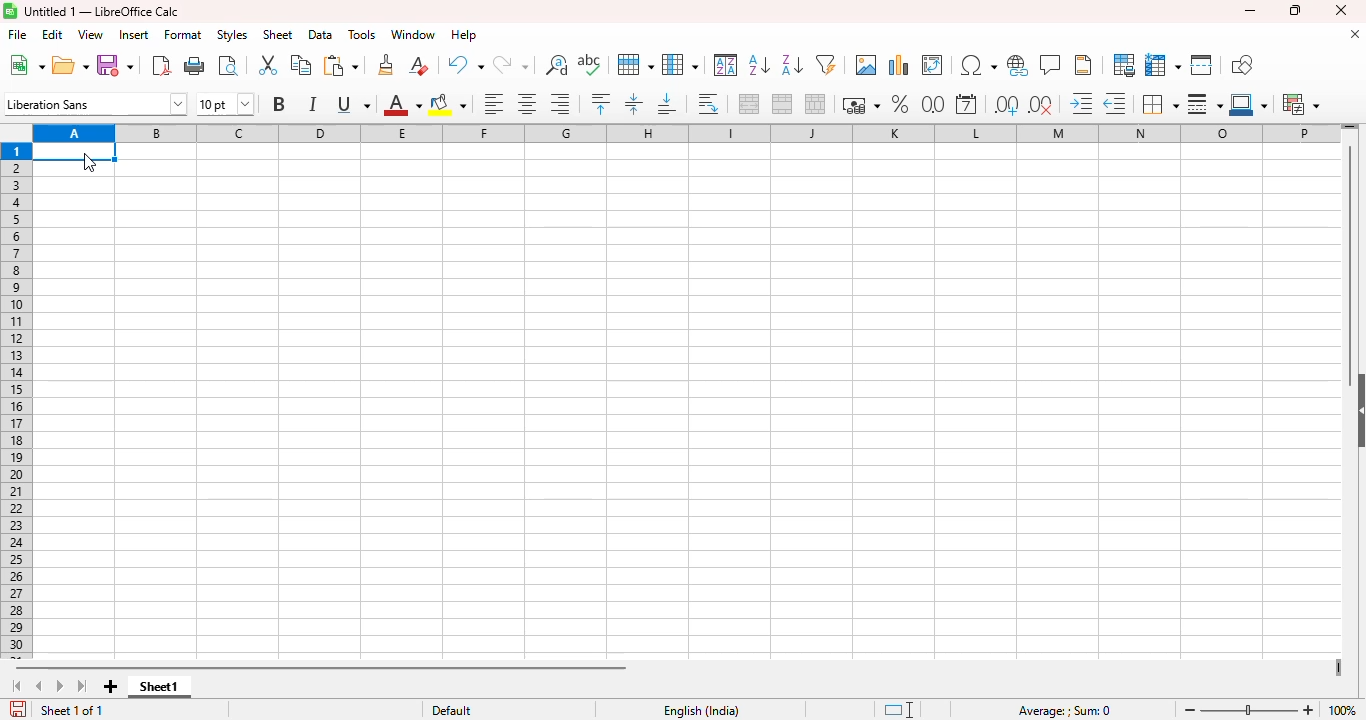  What do you see at coordinates (267, 65) in the screenshot?
I see `cut` at bounding box center [267, 65].